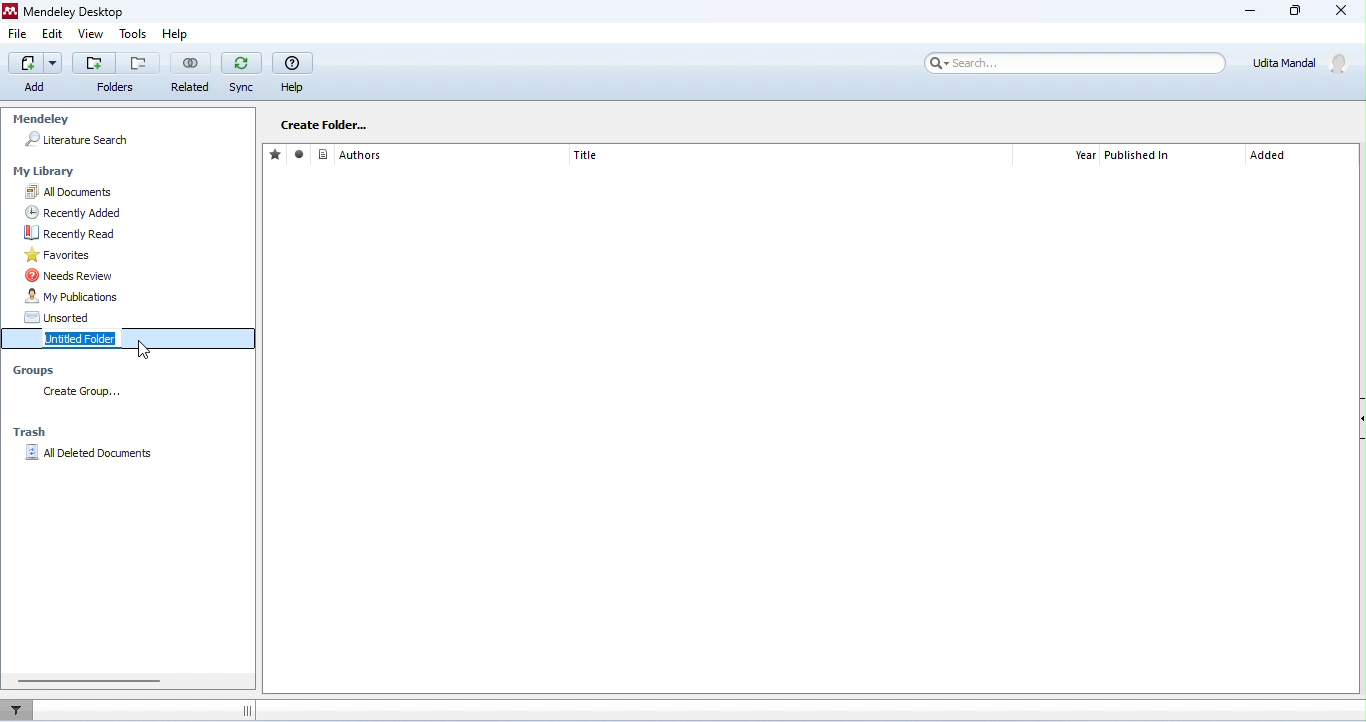  Describe the element at coordinates (33, 432) in the screenshot. I see `trash` at that location.